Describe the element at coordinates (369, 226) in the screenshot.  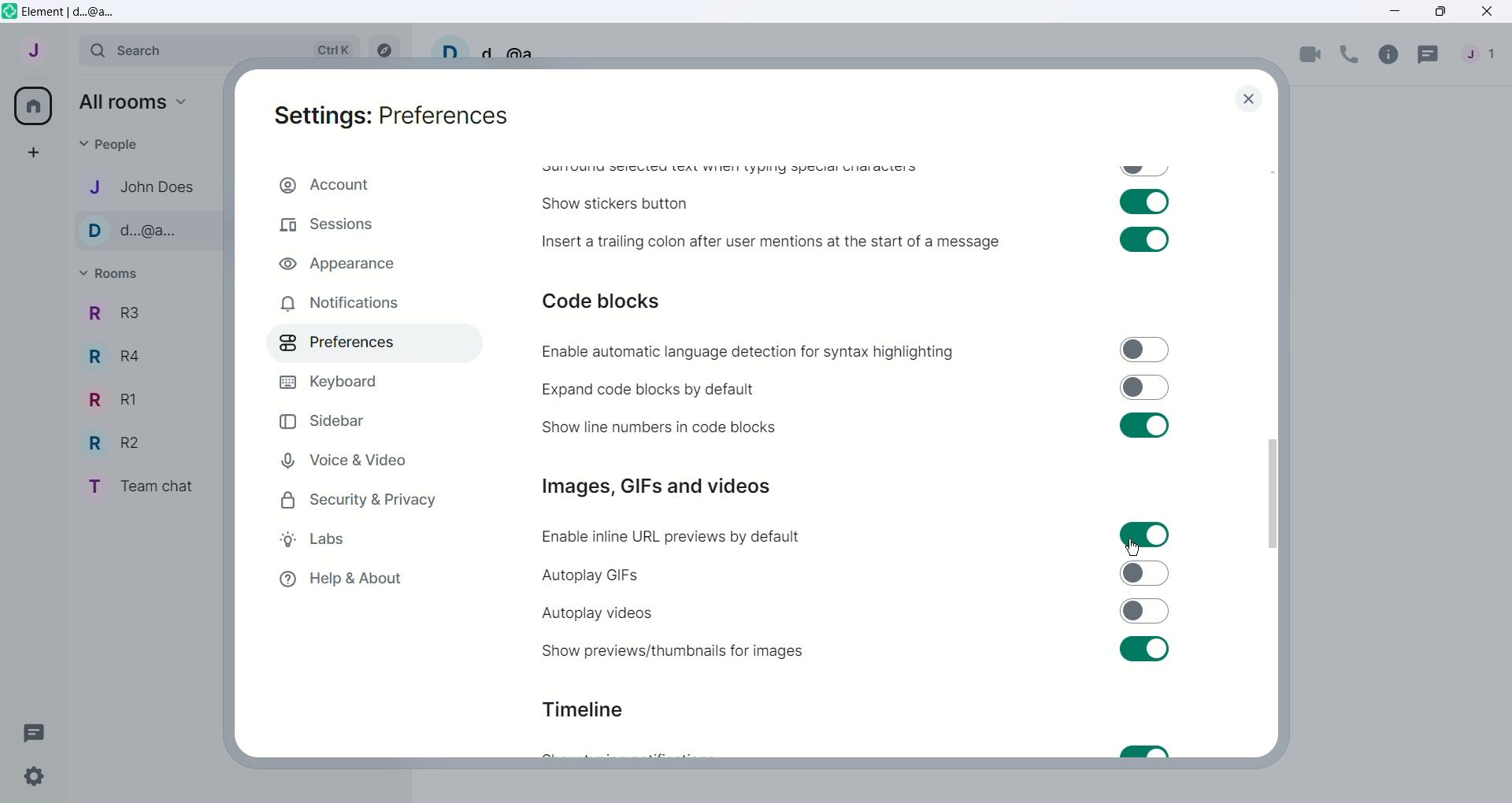
I see `Sessions` at that location.